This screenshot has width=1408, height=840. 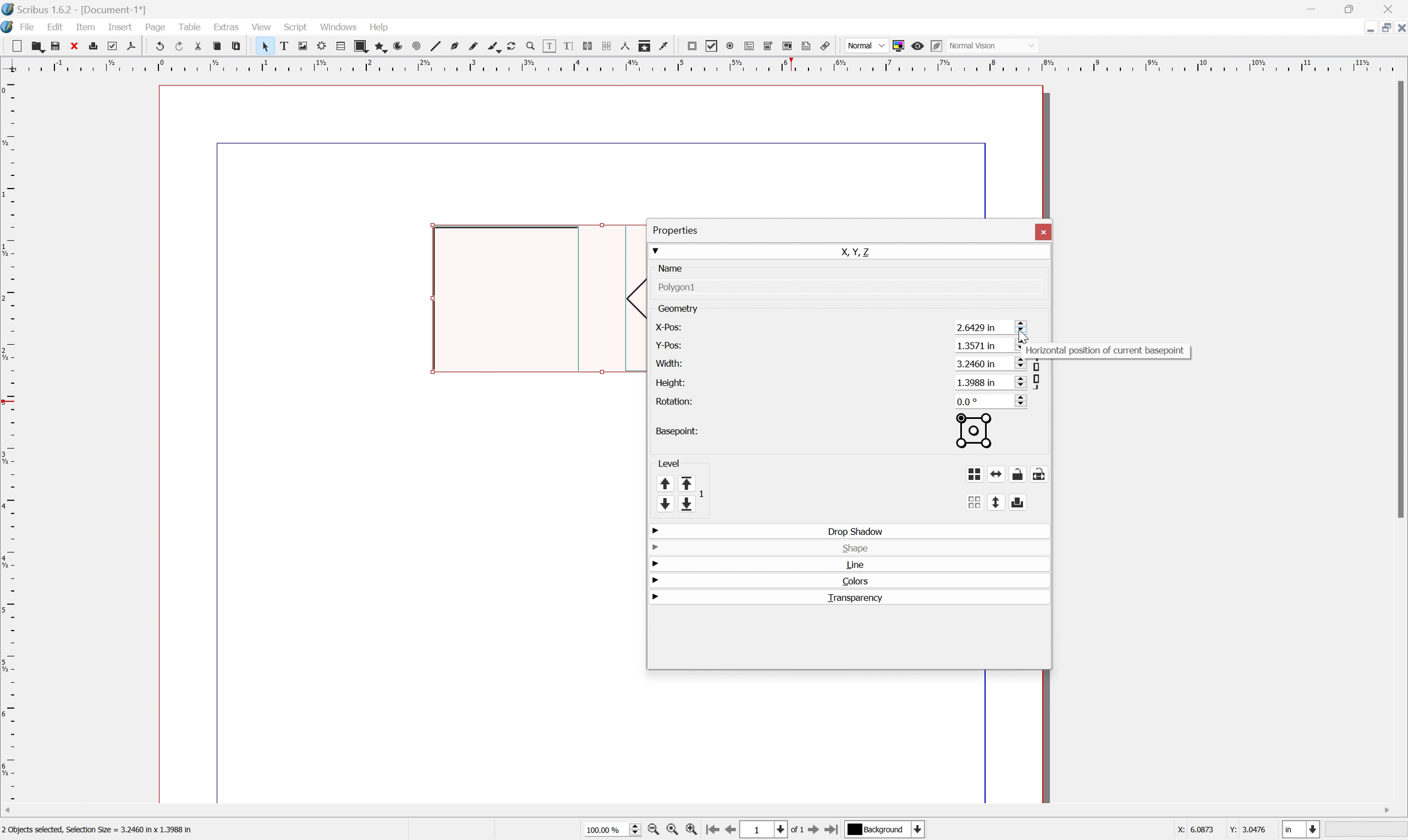 I want to click on edit contents of frame, so click(x=547, y=46).